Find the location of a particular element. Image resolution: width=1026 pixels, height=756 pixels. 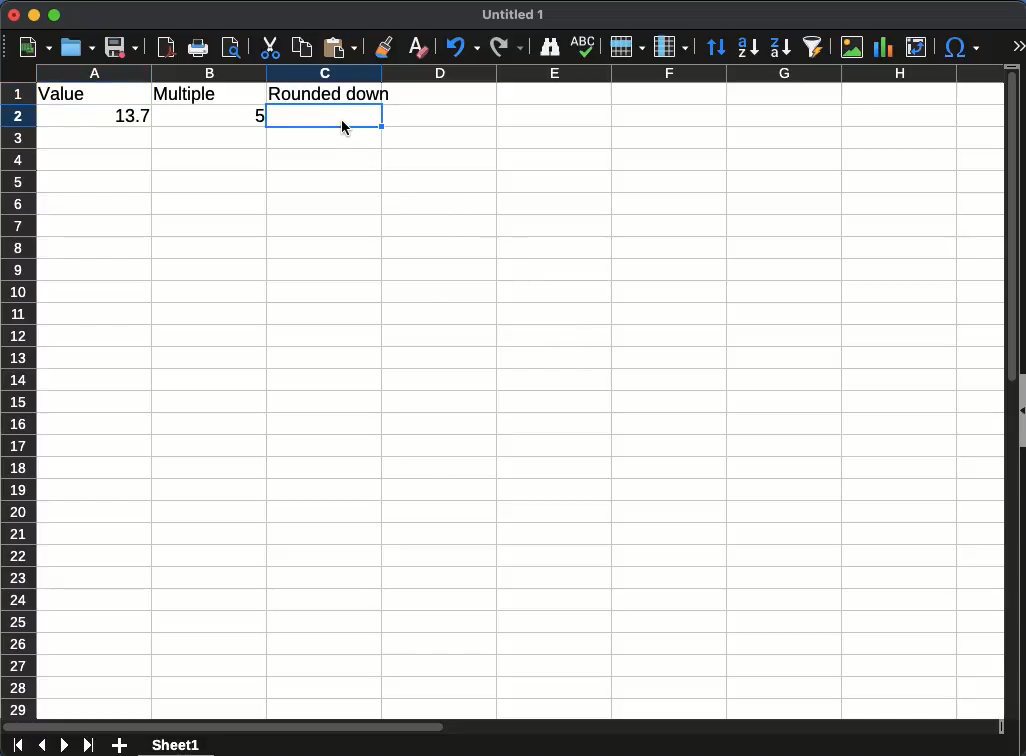

open is located at coordinates (78, 47).